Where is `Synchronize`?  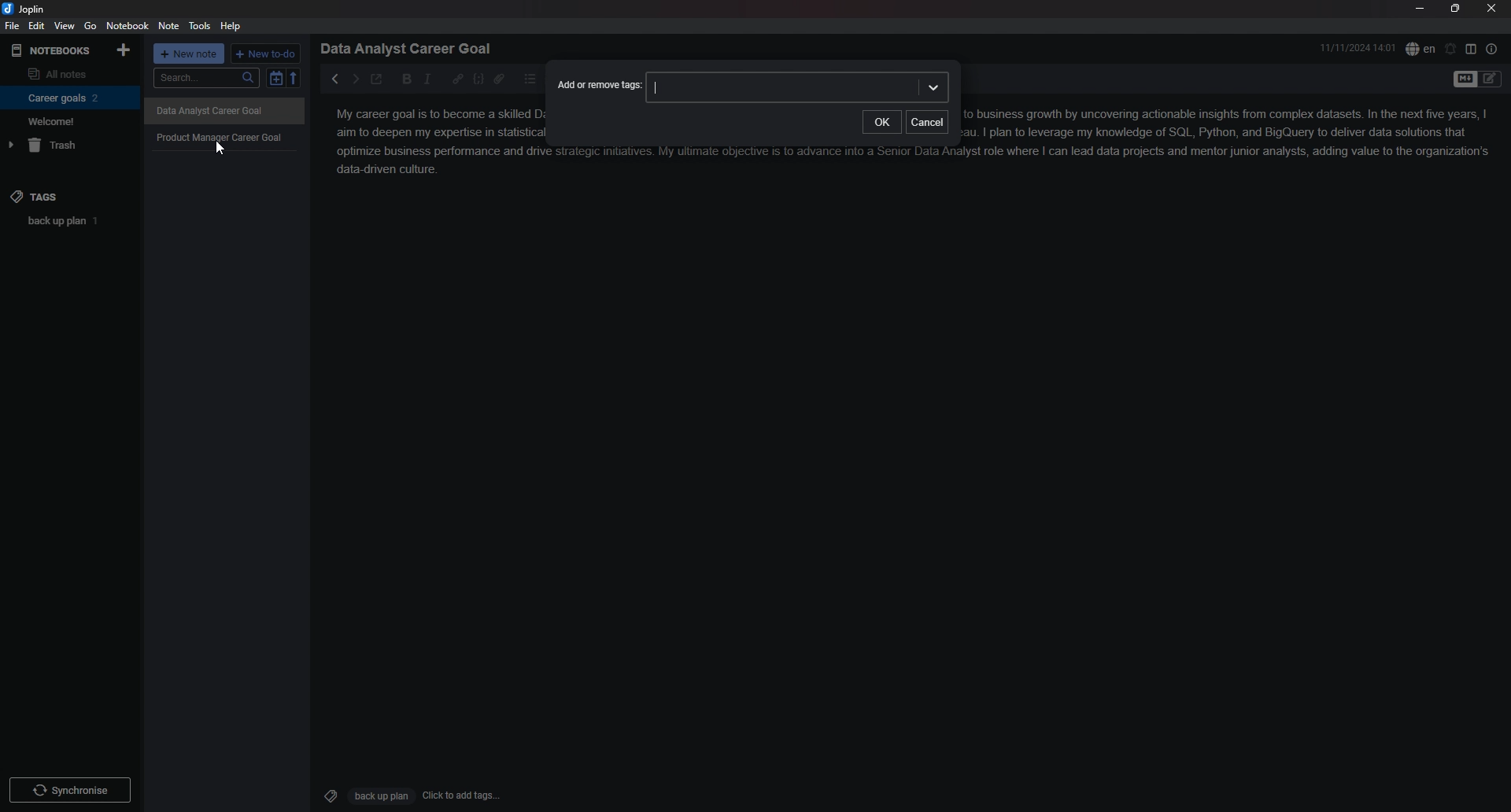
Synchronize is located at coordinates (71, 789).